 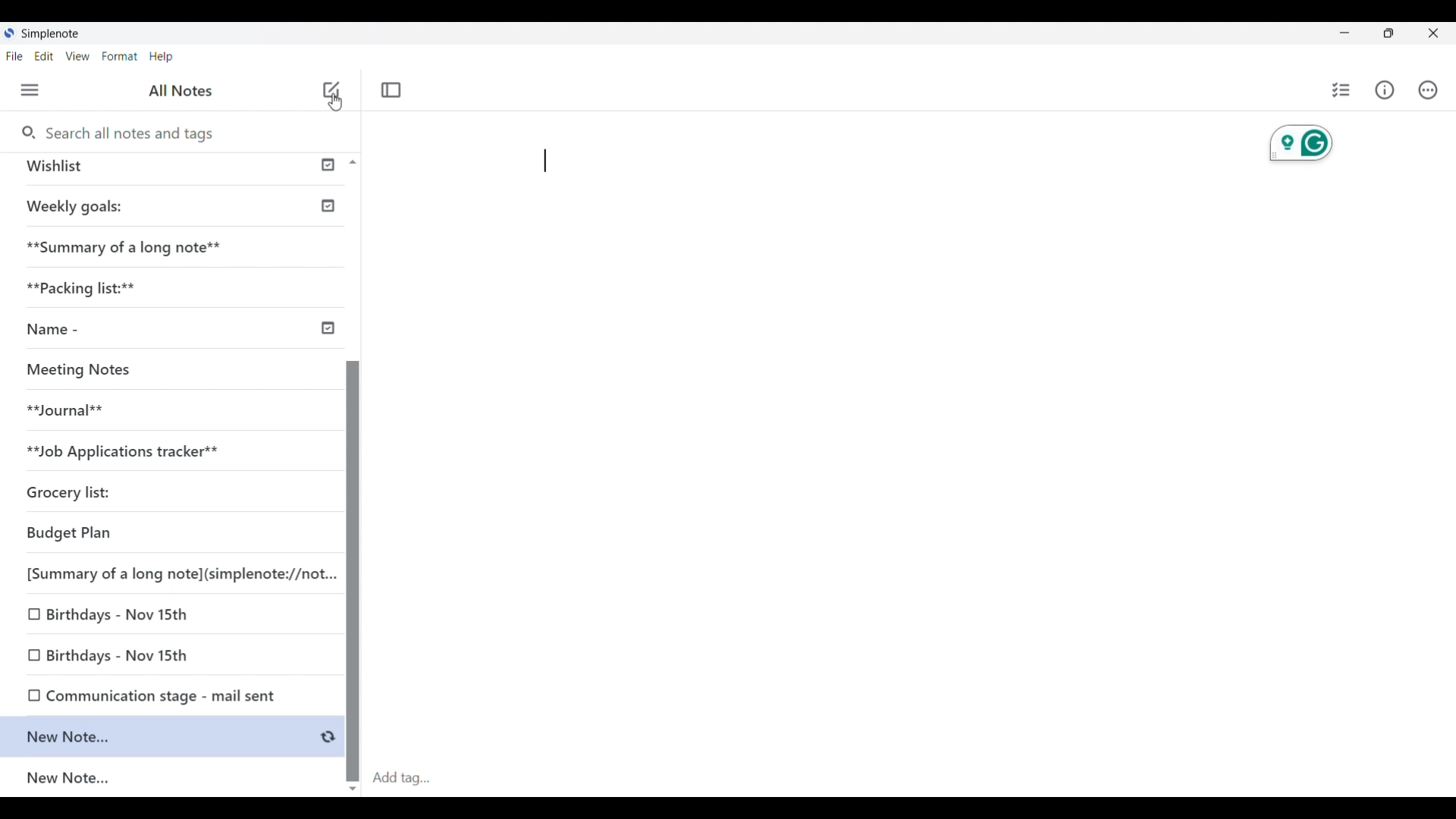 I want to click on Birthdays - Nov 15th, so click(x=116, y=617).